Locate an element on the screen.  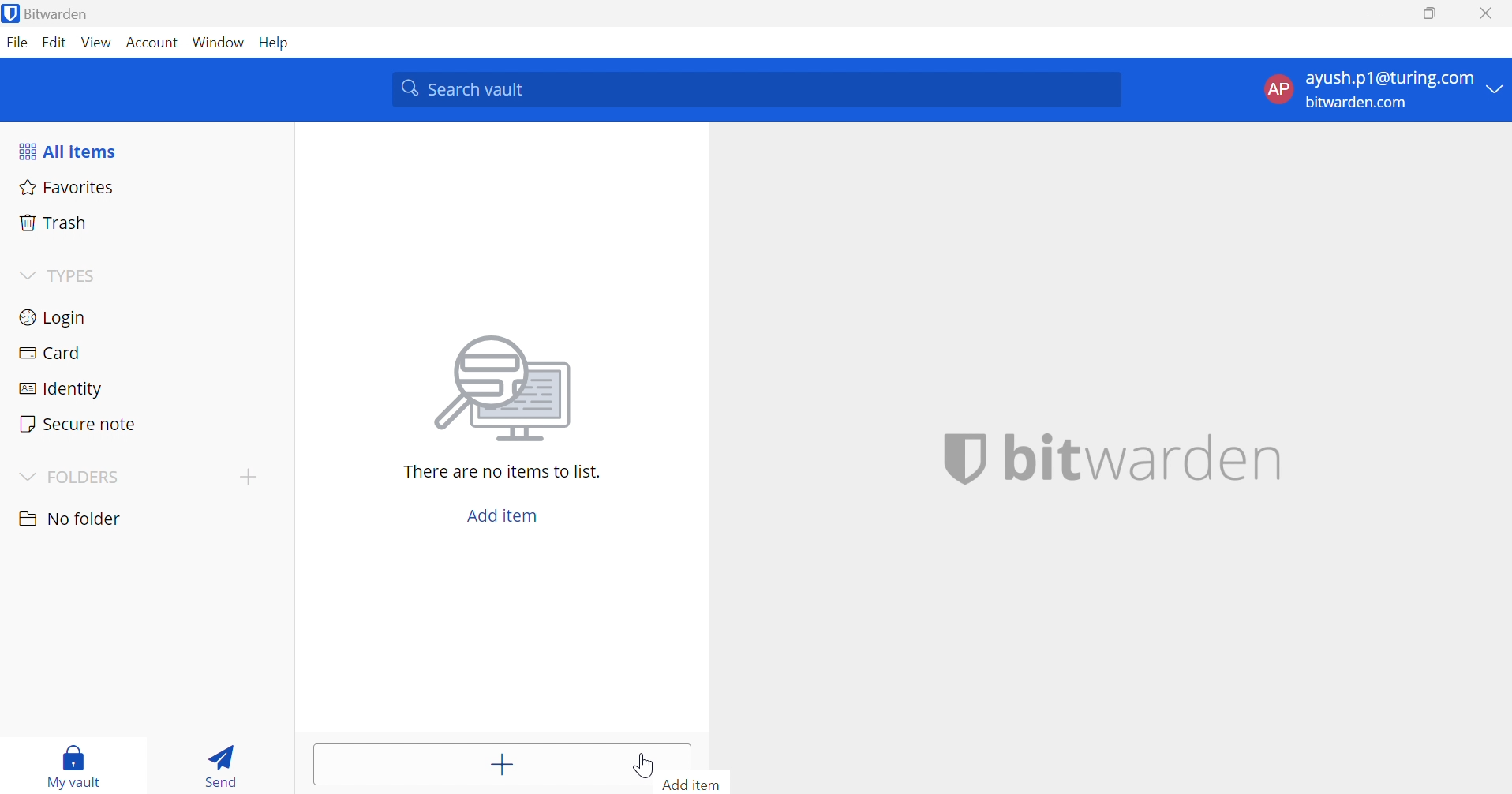
Add item is located at coordinates (500, 767).